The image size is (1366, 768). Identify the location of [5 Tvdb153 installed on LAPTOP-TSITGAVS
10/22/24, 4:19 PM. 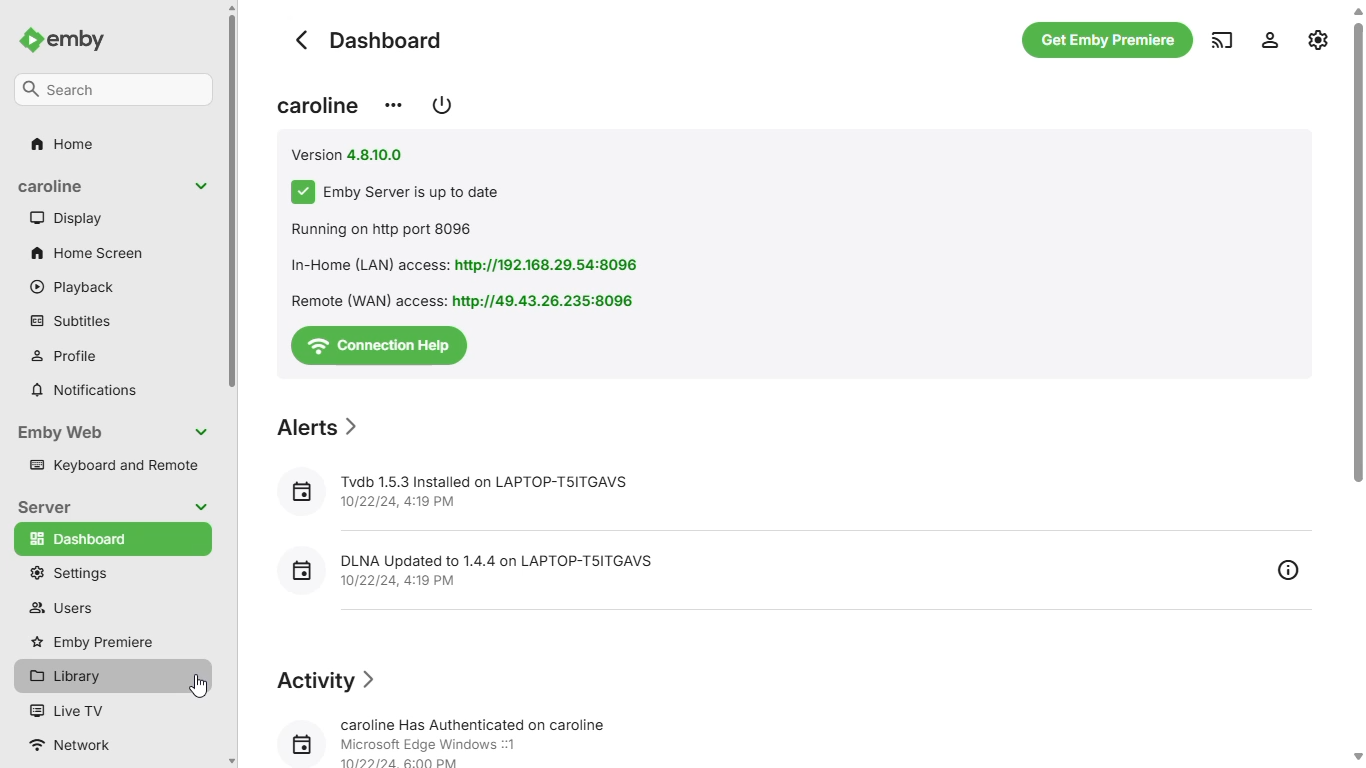
(466, 488).